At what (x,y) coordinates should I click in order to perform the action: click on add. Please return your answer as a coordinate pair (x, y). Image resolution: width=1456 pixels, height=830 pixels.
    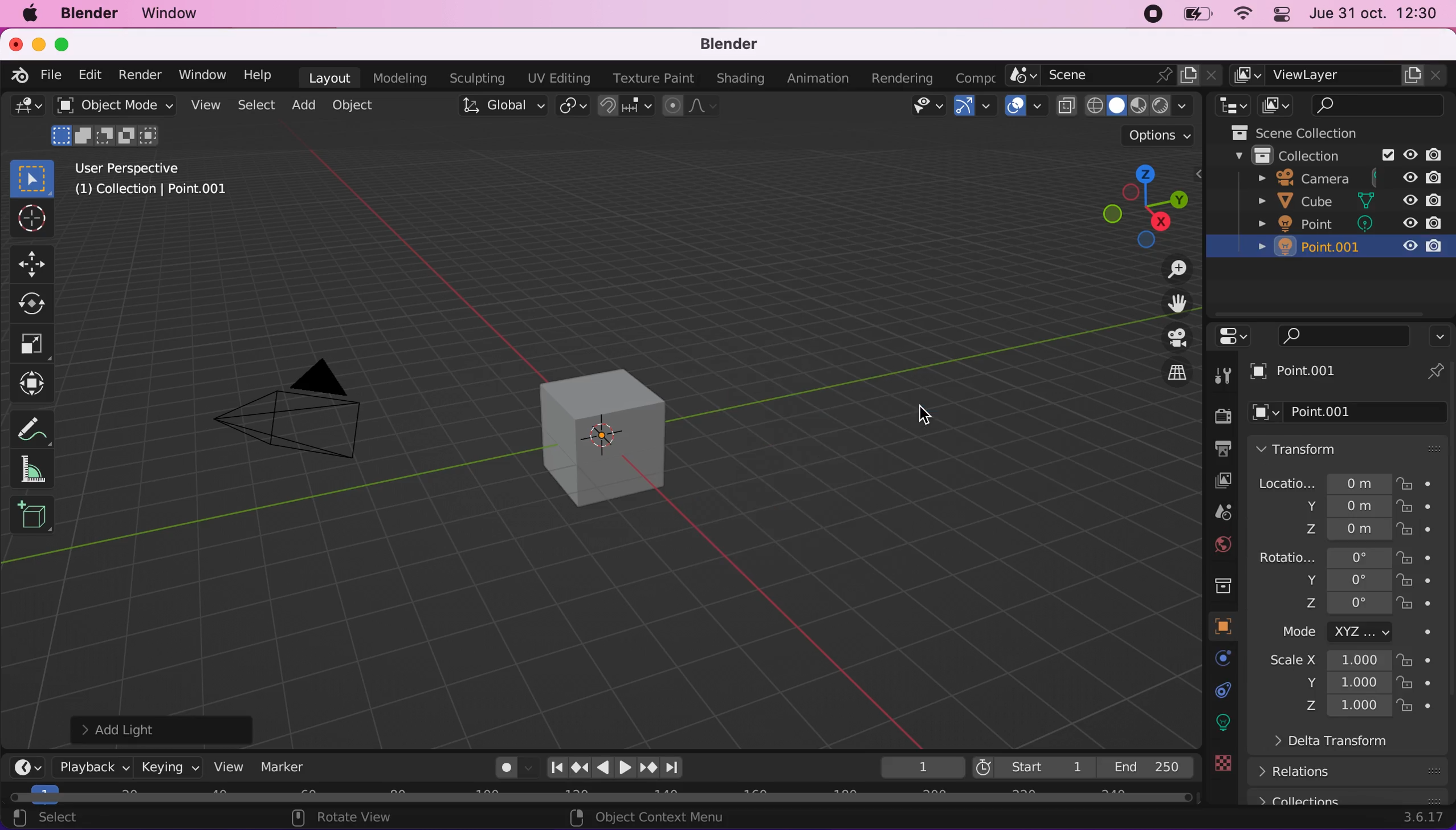
    Looking at the image, I should click on (308, 107).